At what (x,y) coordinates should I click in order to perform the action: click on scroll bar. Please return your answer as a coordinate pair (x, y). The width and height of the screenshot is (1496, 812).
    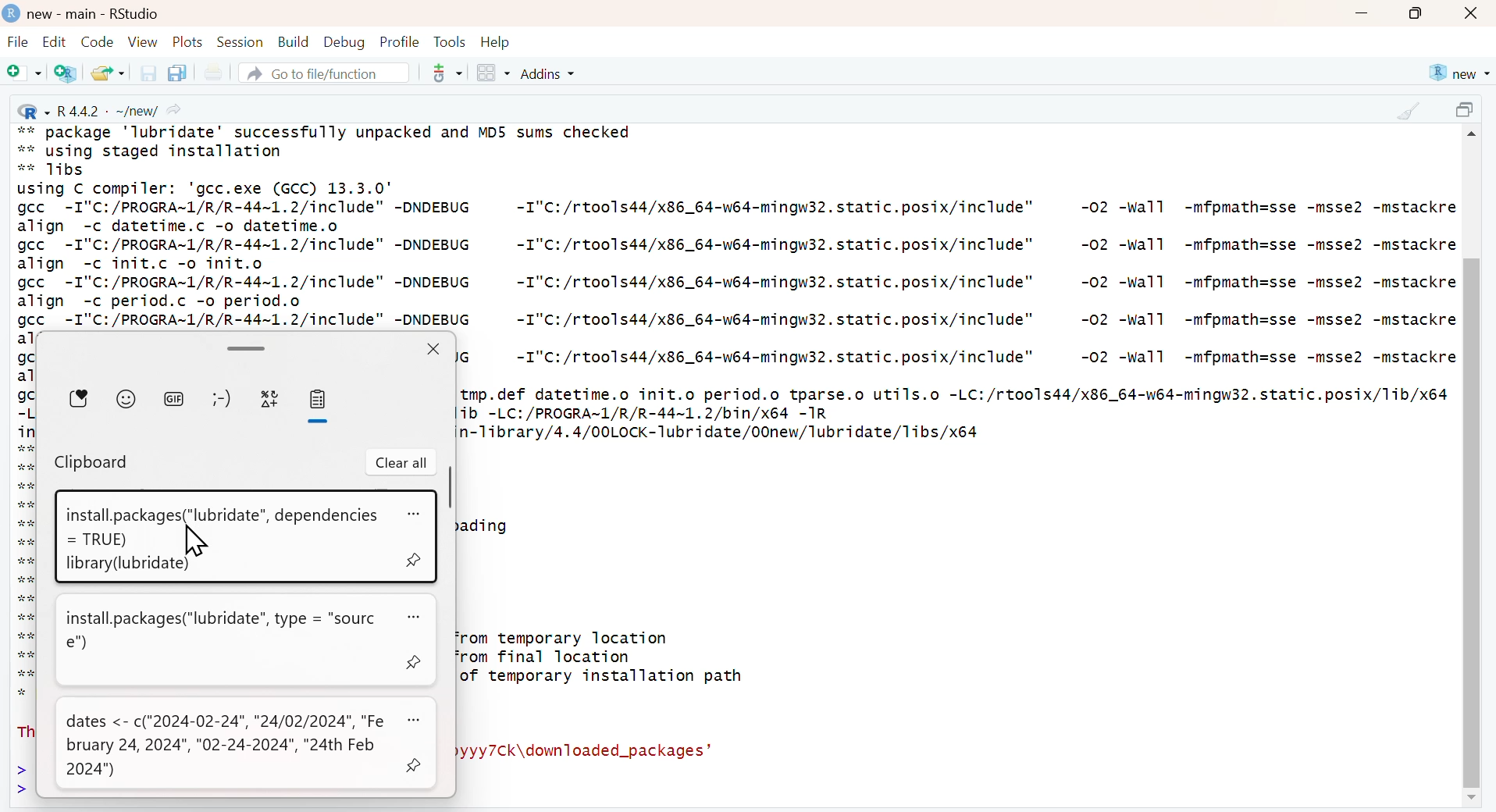
    Looking at the image, I should click on (448, 488).